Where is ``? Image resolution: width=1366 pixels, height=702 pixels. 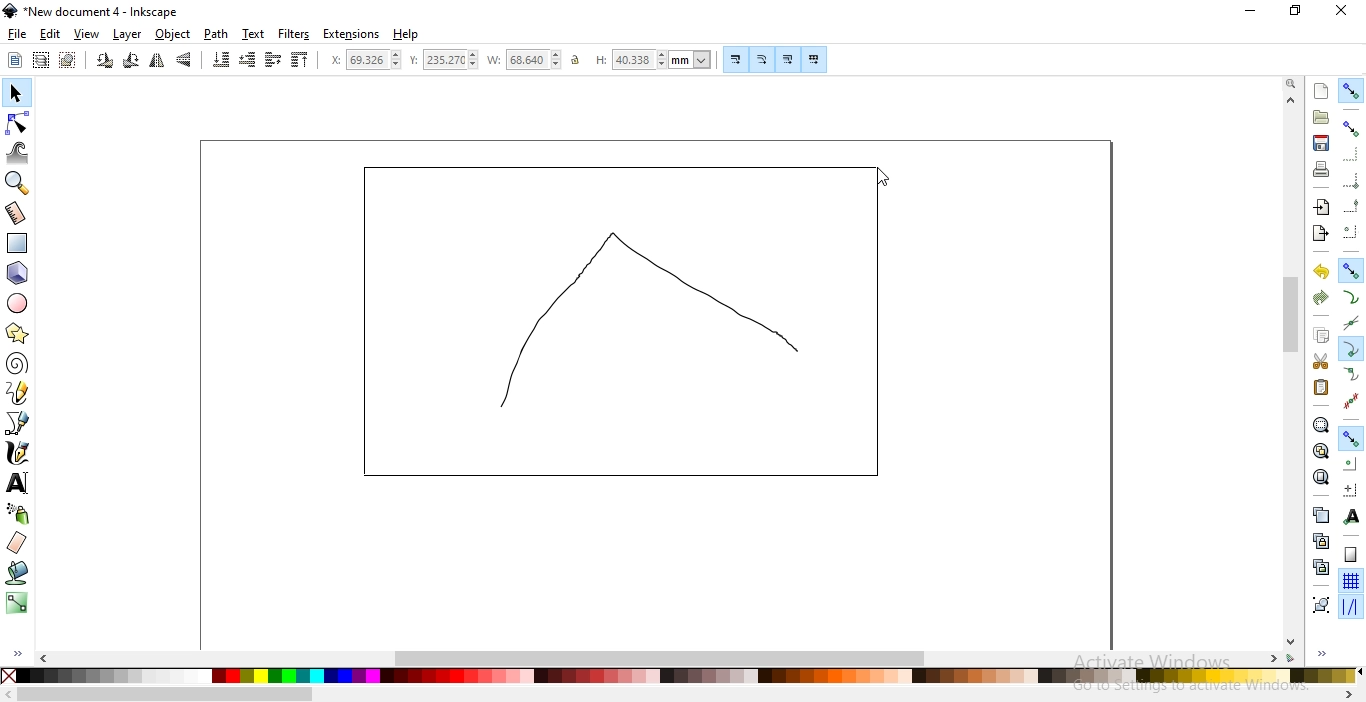  is located at coordinates (763, 59).